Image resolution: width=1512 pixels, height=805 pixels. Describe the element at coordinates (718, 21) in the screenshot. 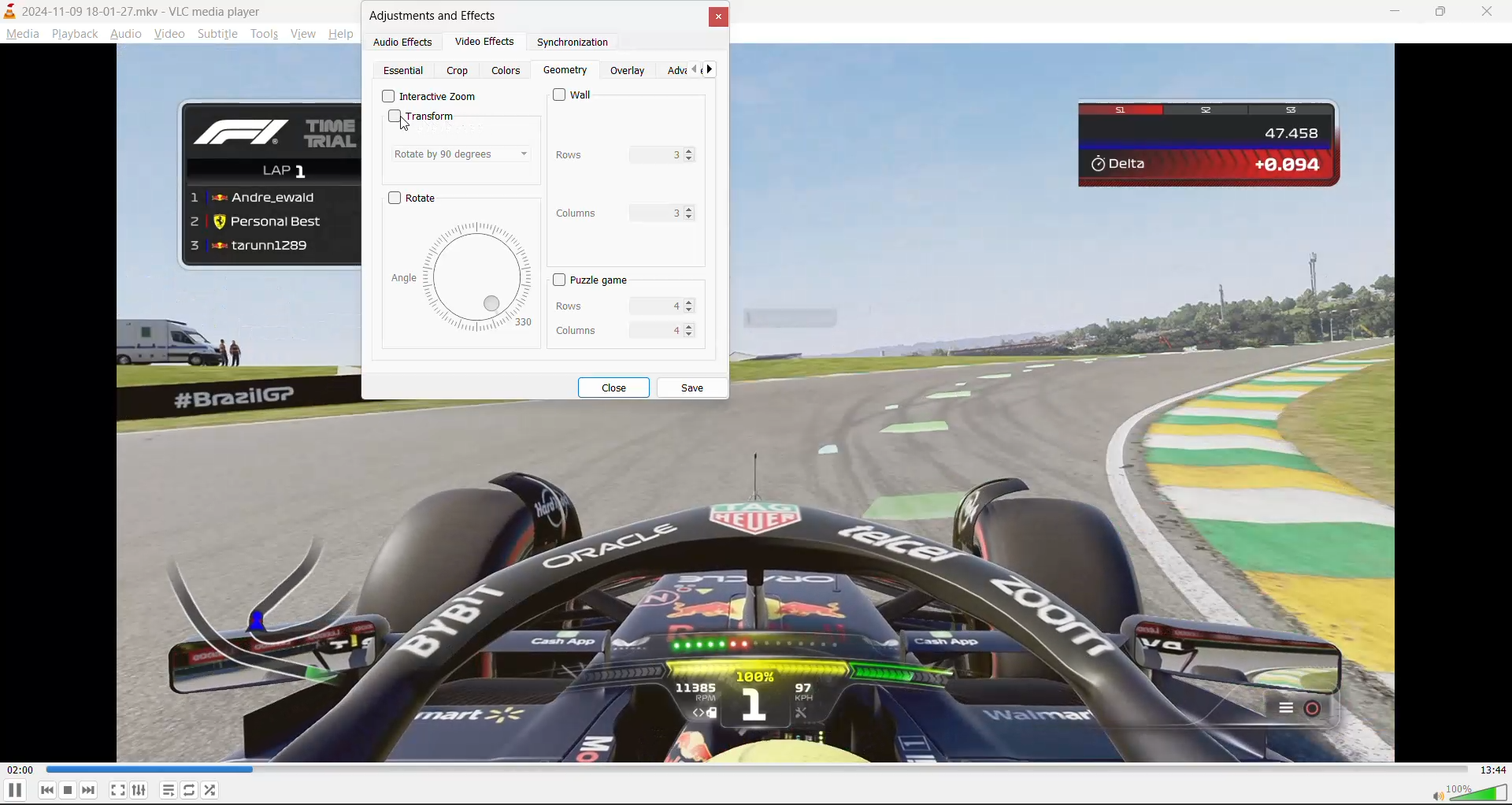

I see `close tab` at that location.